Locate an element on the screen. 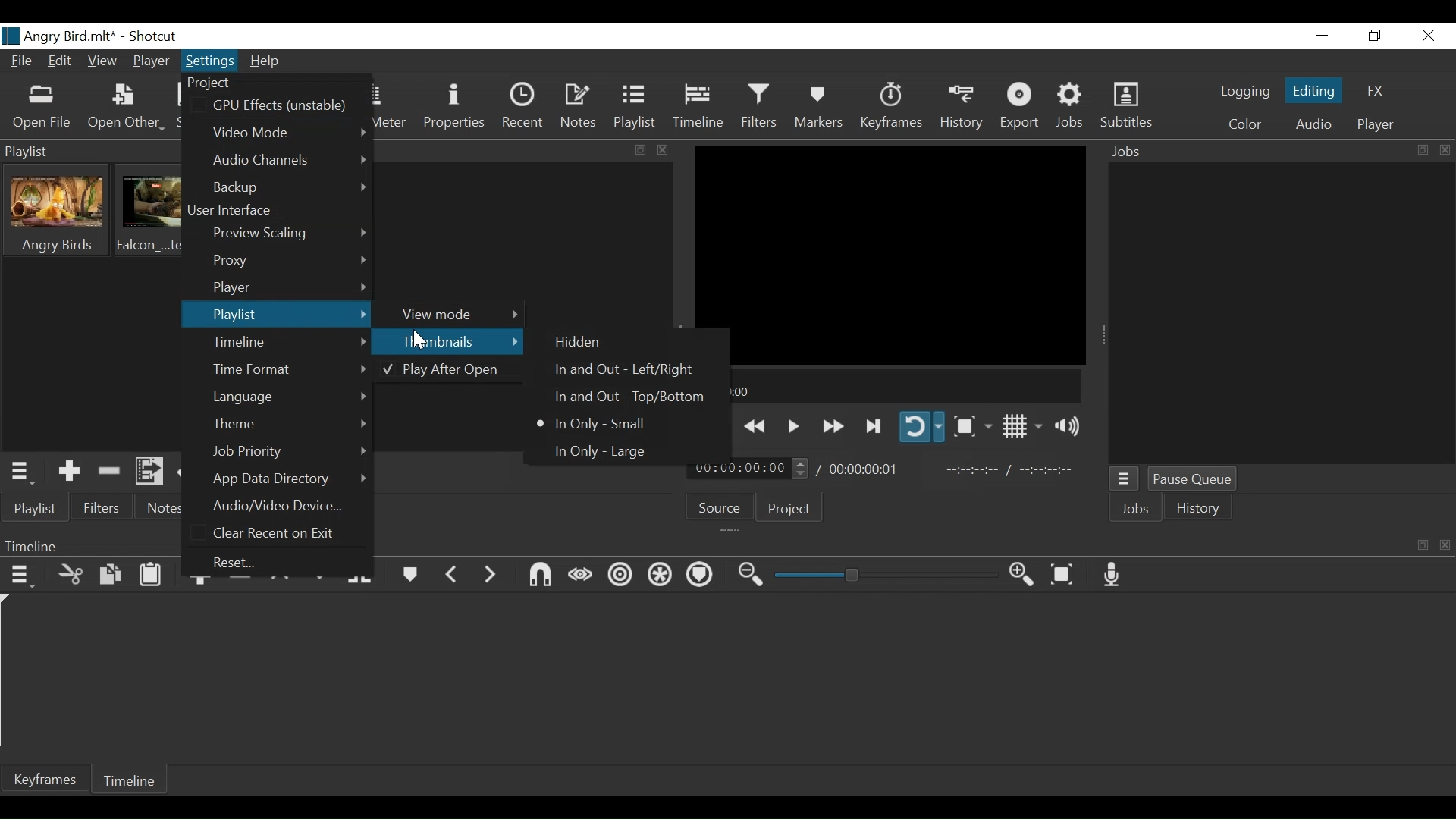 The image size is (1456, 819). Show volume control is located at coordinates (1065, 426).